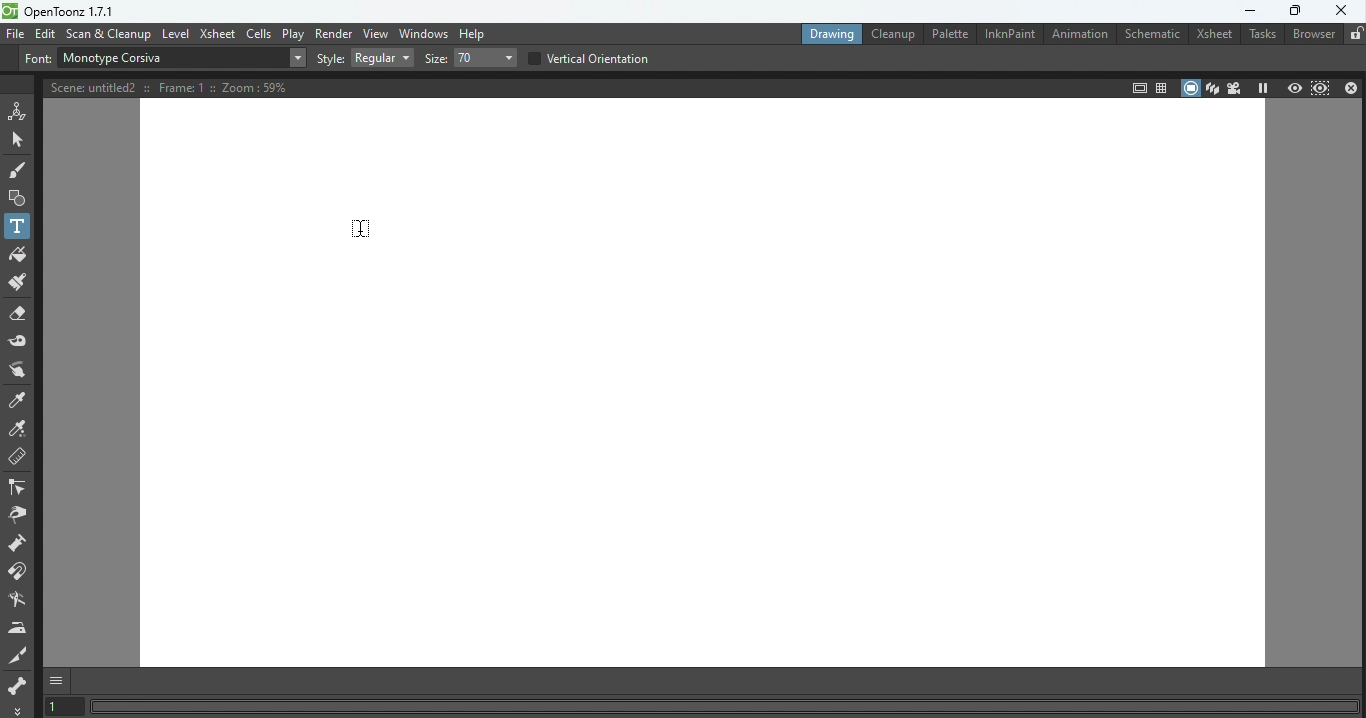  What do you see at coordinates (1263, 35) in the screenshot?
I see `Tasks` at bounding box center [1263, 35].